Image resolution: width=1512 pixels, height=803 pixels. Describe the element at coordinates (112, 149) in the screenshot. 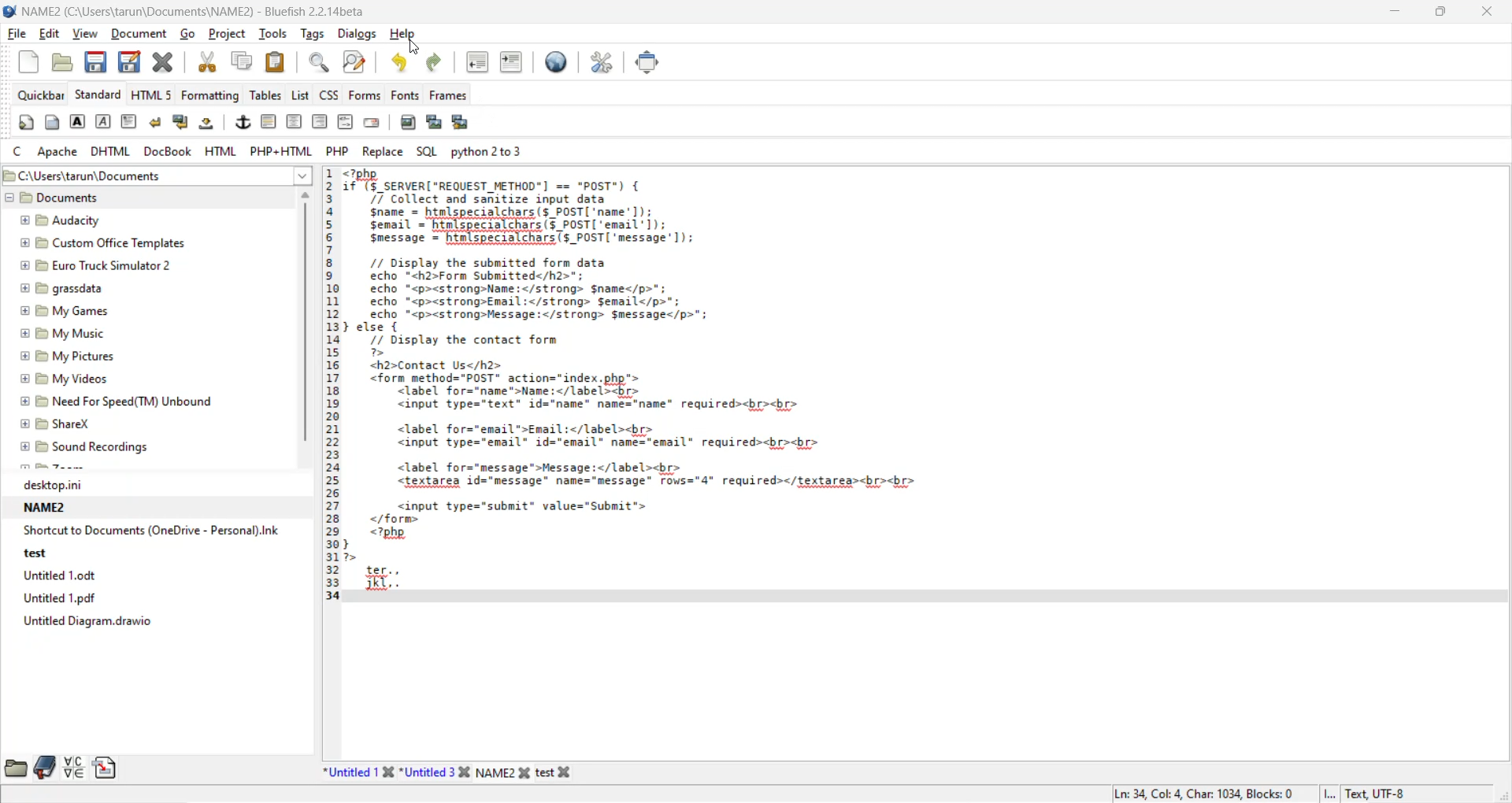

I see `dhtml` at that location.